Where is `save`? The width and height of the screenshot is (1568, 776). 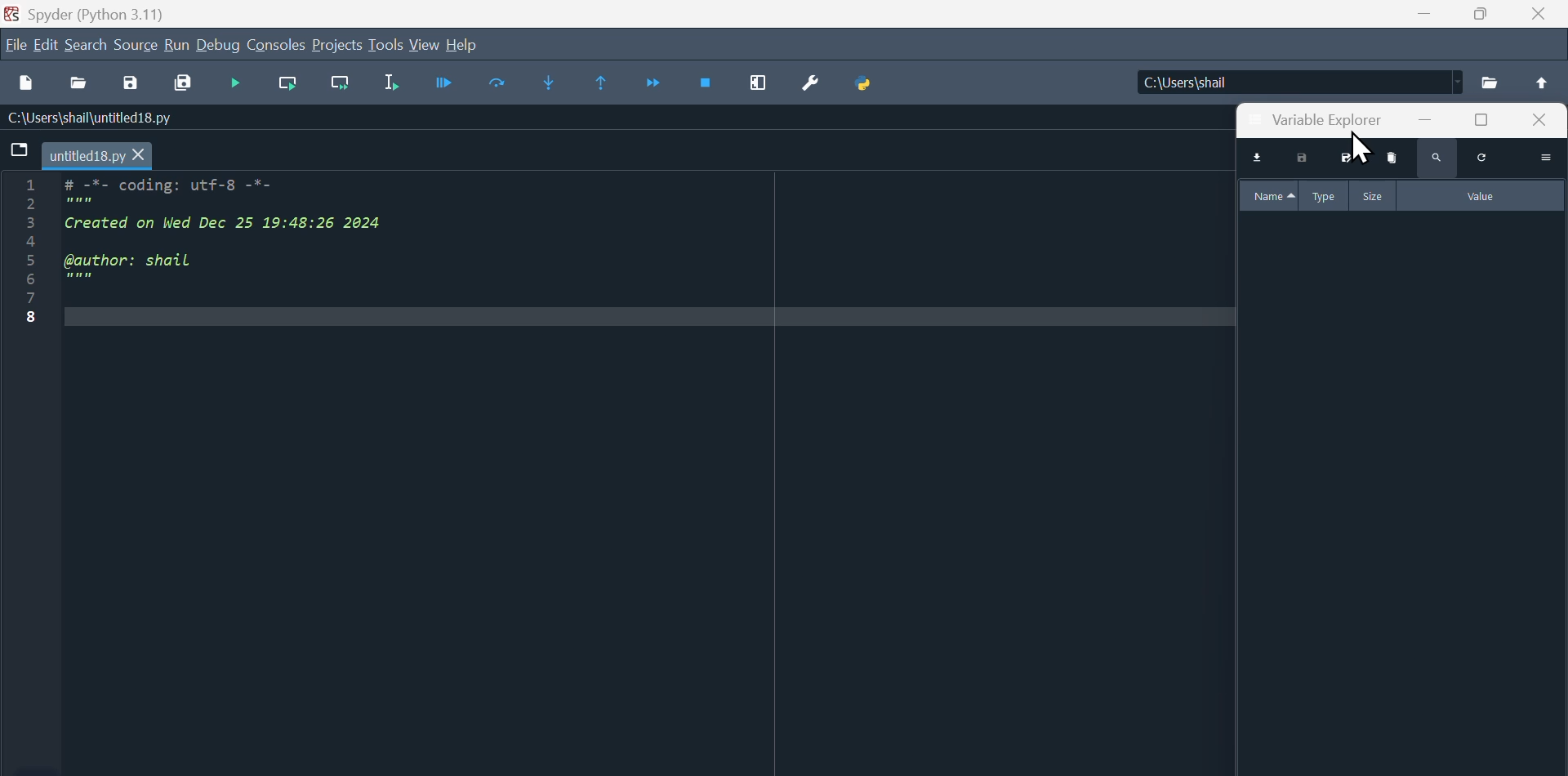 save is located at coordinates (1308, 159).